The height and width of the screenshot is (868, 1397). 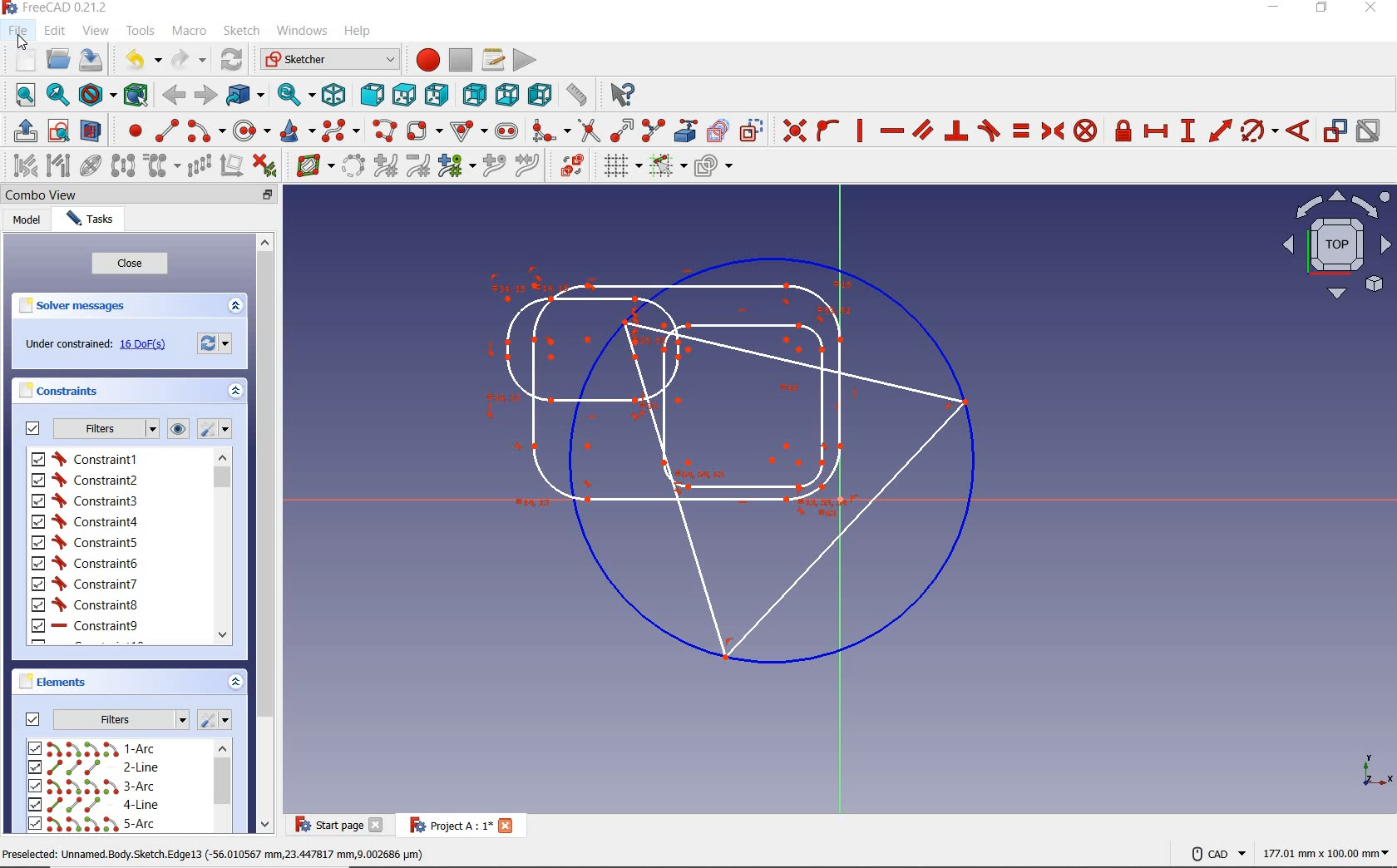 What do you see at coordinates (446, 825) in the screenshot?
I see `project A:1*` at bounding box center [446, 825].